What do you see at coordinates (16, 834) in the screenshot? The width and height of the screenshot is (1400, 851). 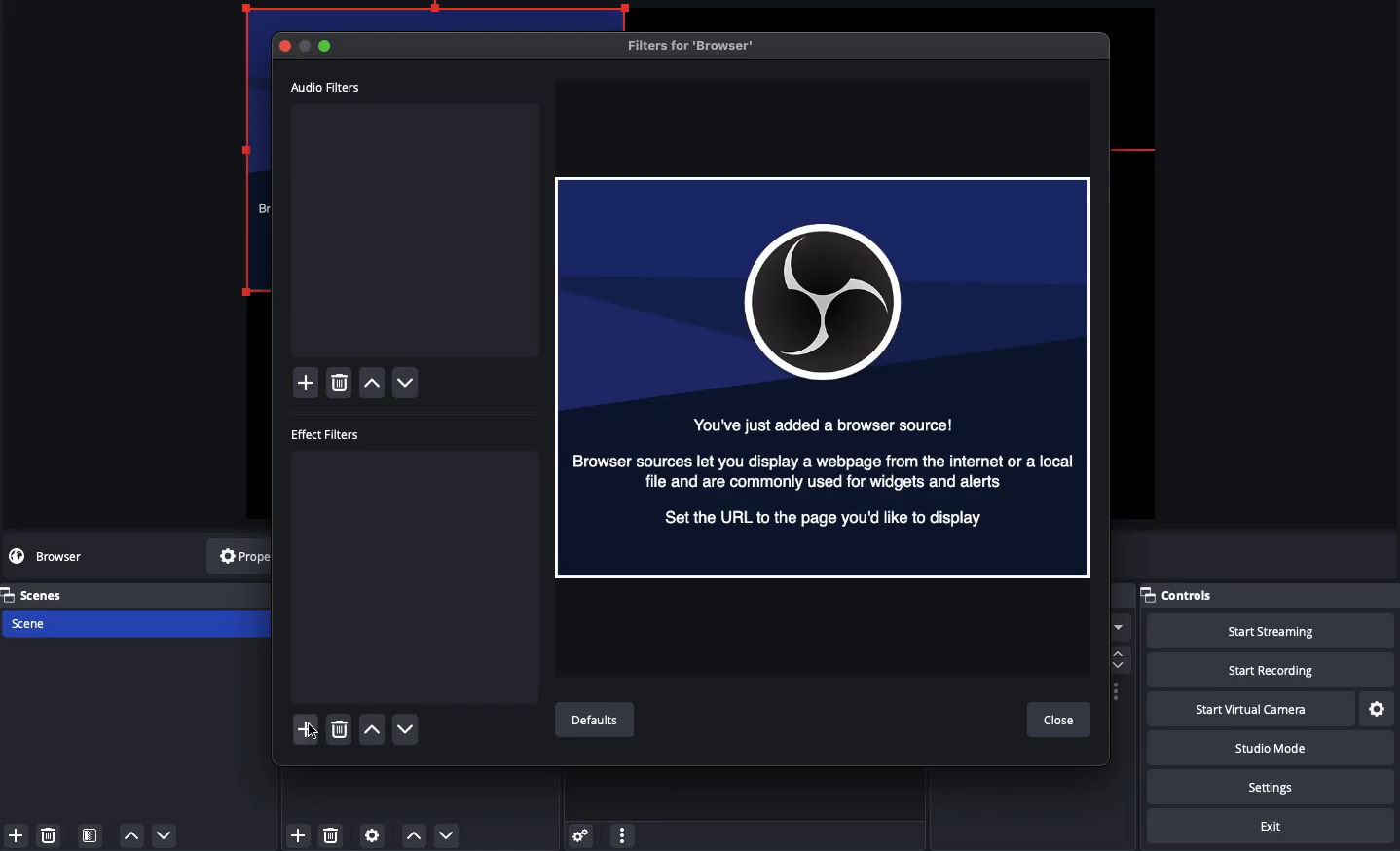 I see `Add` at bounding box center [16, 834].